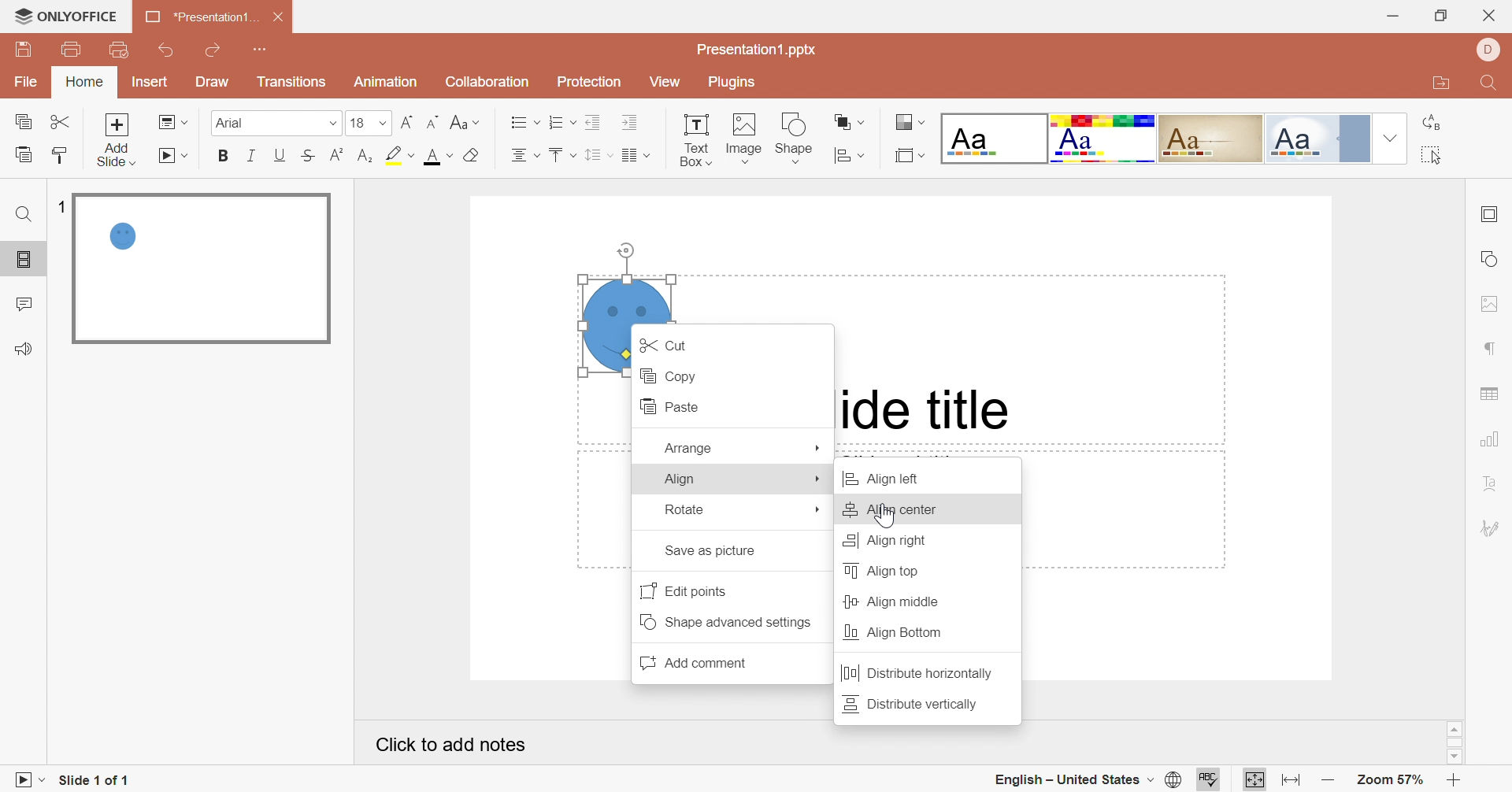 The image size is (1512, 792). What do you see at coordinates (701, 664) in the screenshot?
I see `Add comment` at bounding box center [701, 664].